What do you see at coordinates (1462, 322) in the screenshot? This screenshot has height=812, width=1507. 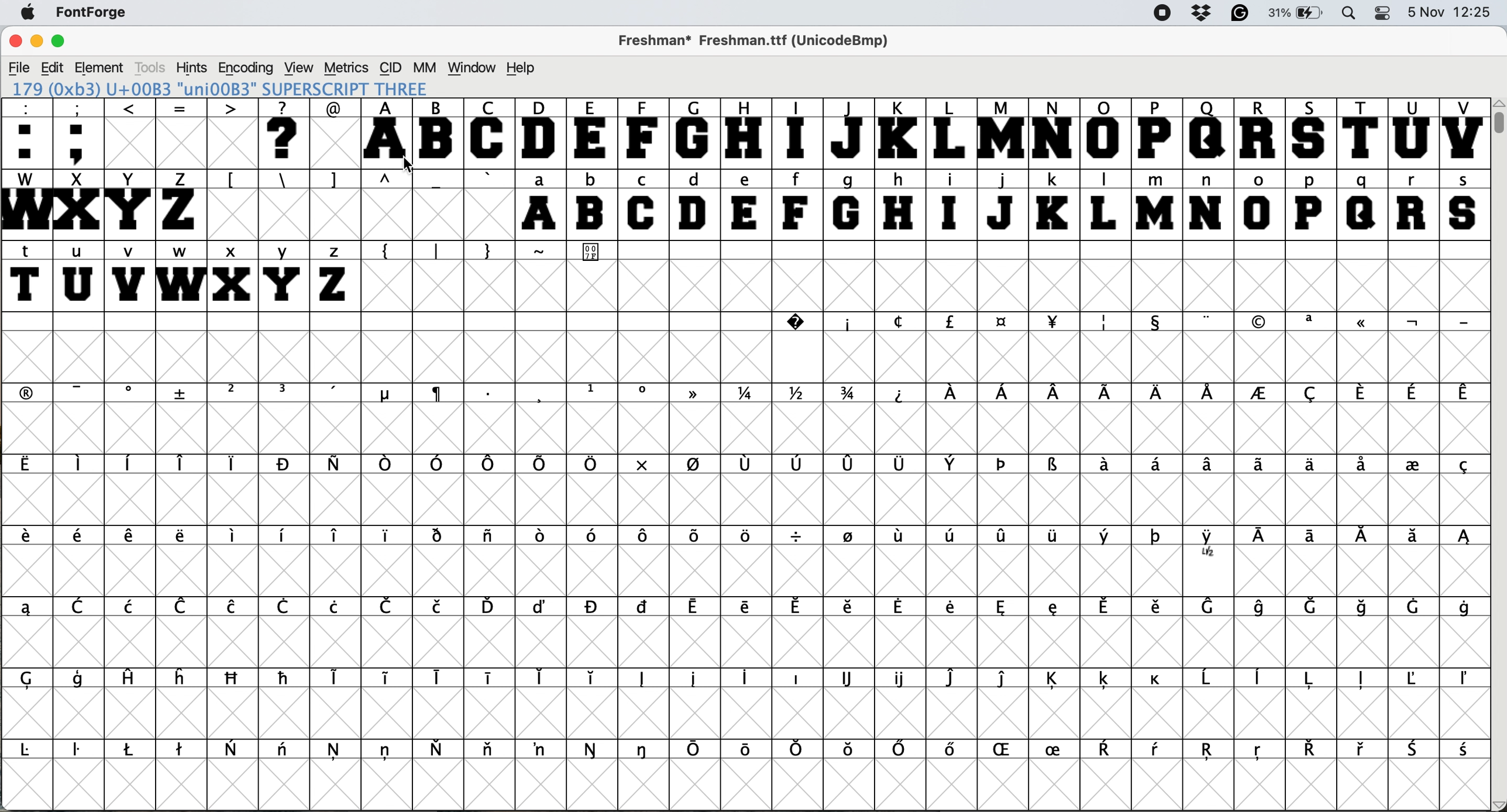 I see `symbol` at bounding box center [1462, 322].